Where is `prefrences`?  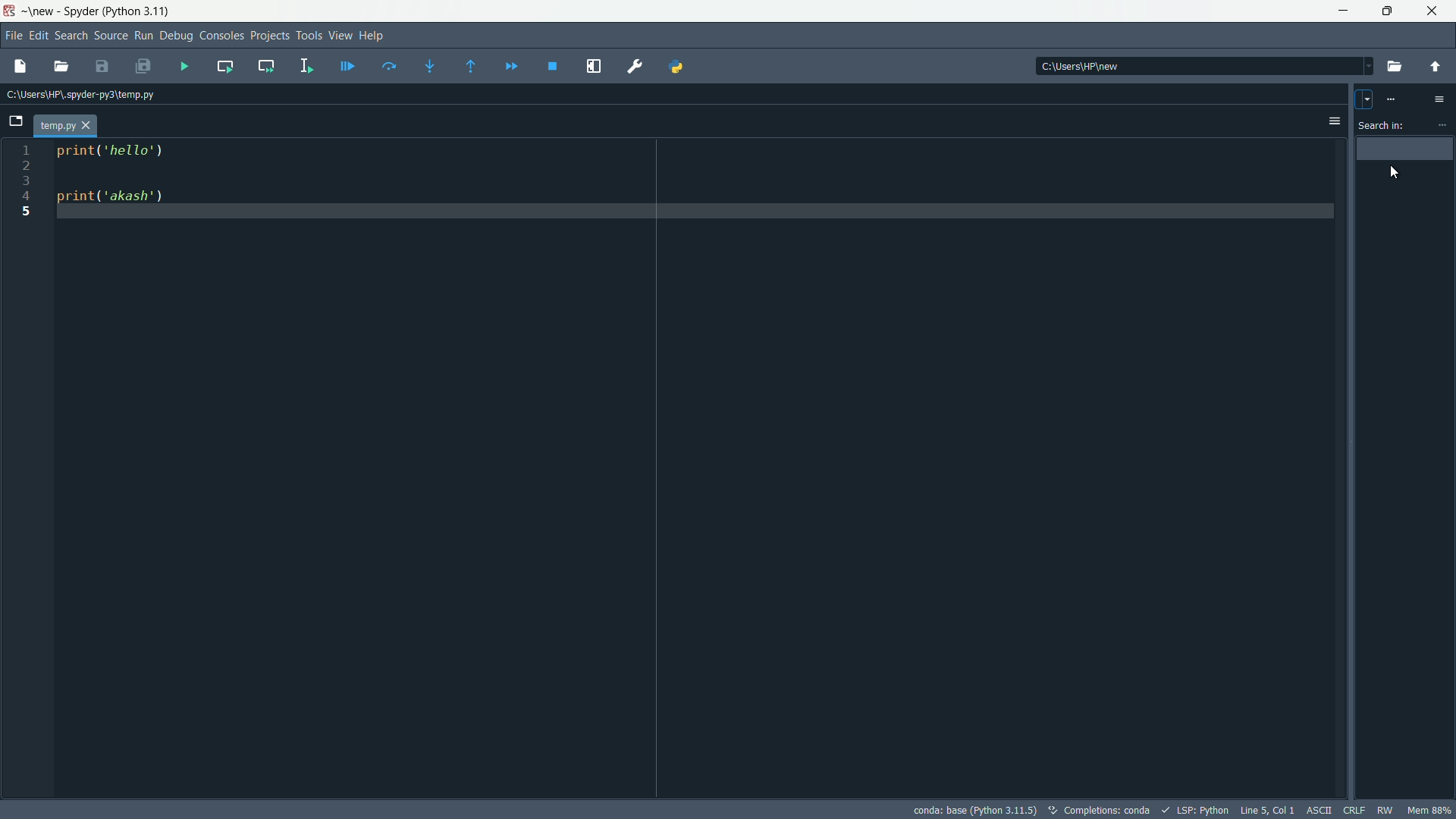 prefrences is located at coordinates (637, 67).